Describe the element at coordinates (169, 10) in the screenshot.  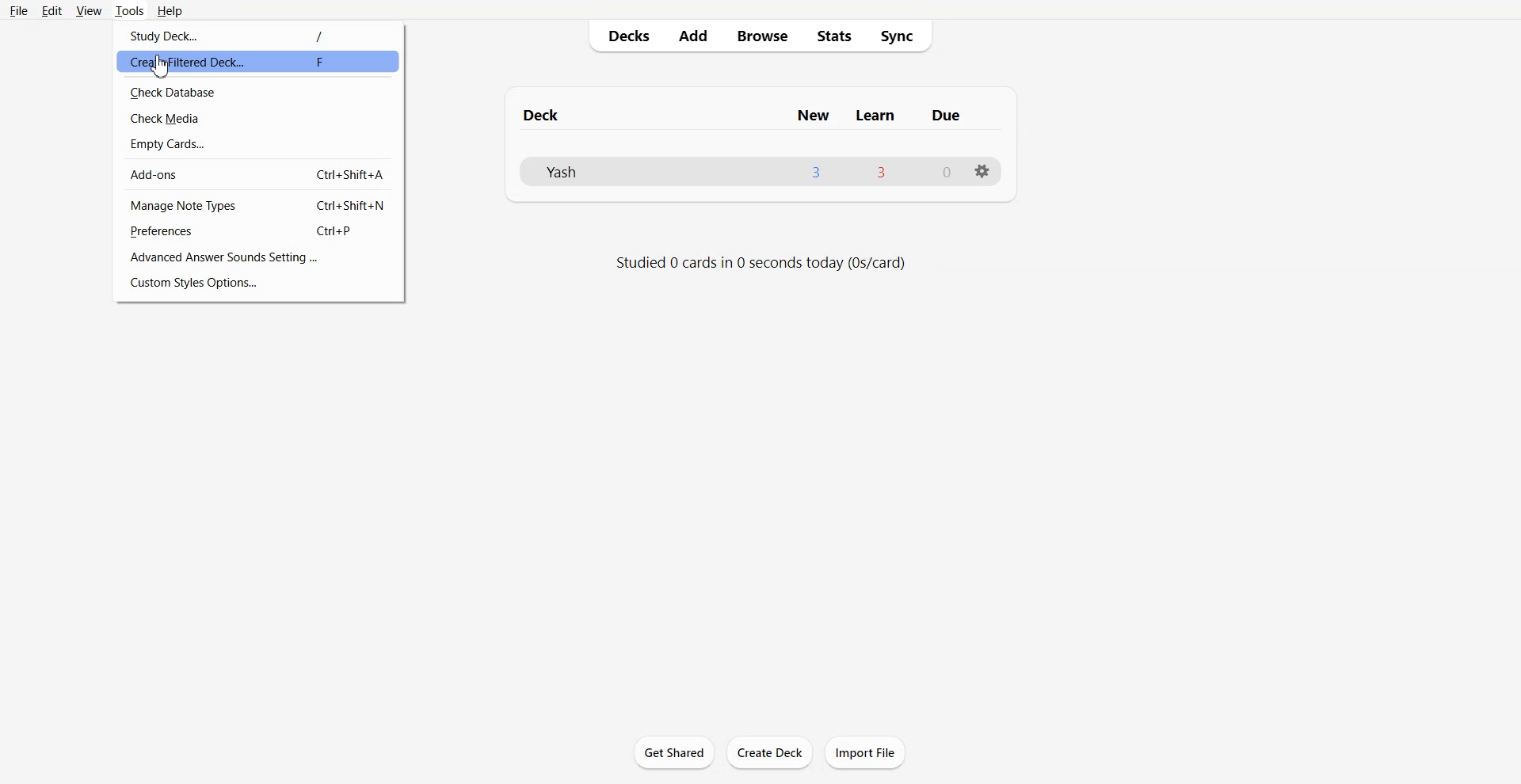
I see `Help` at that location.